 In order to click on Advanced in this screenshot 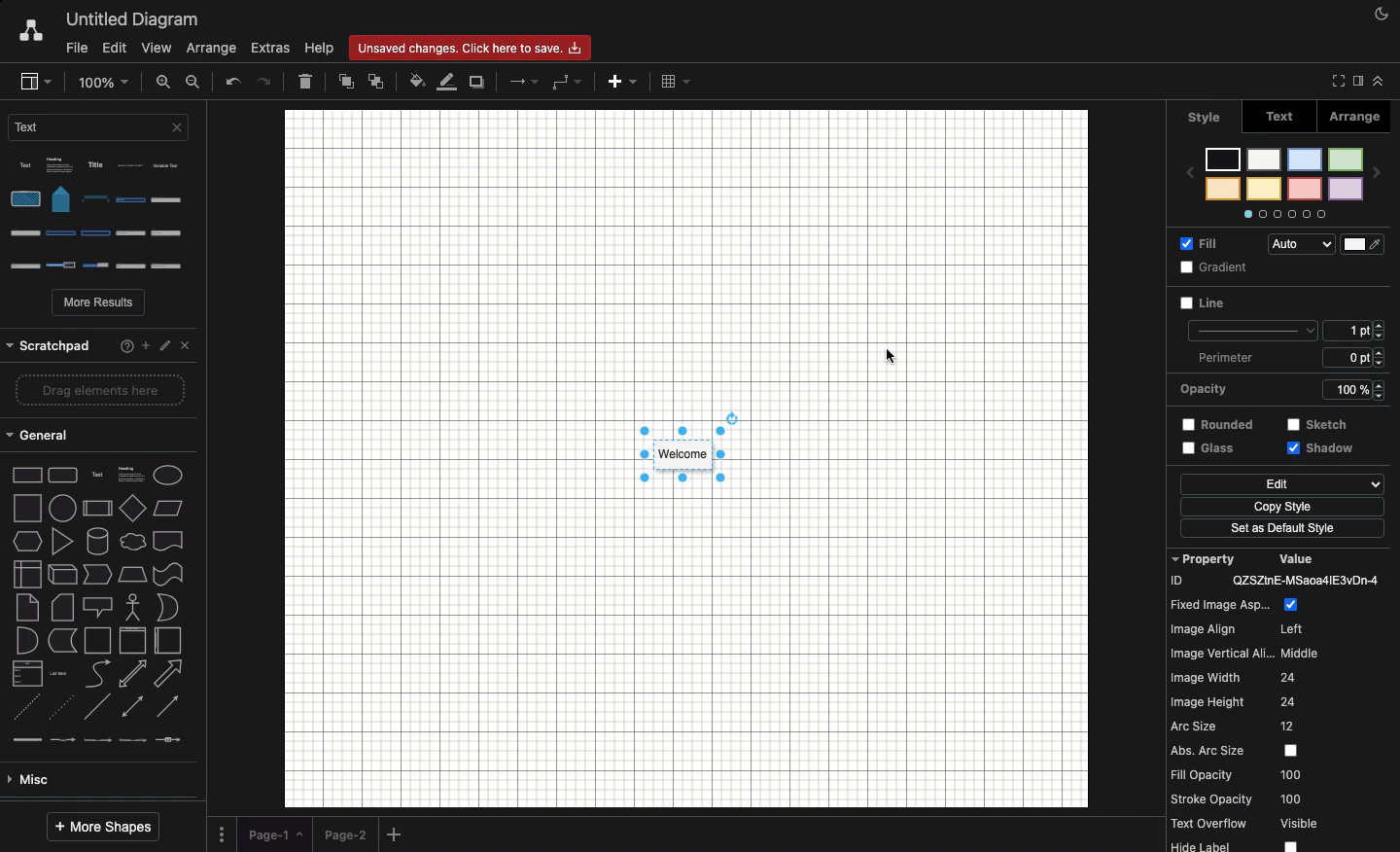, I will do `click(94, 639)`.